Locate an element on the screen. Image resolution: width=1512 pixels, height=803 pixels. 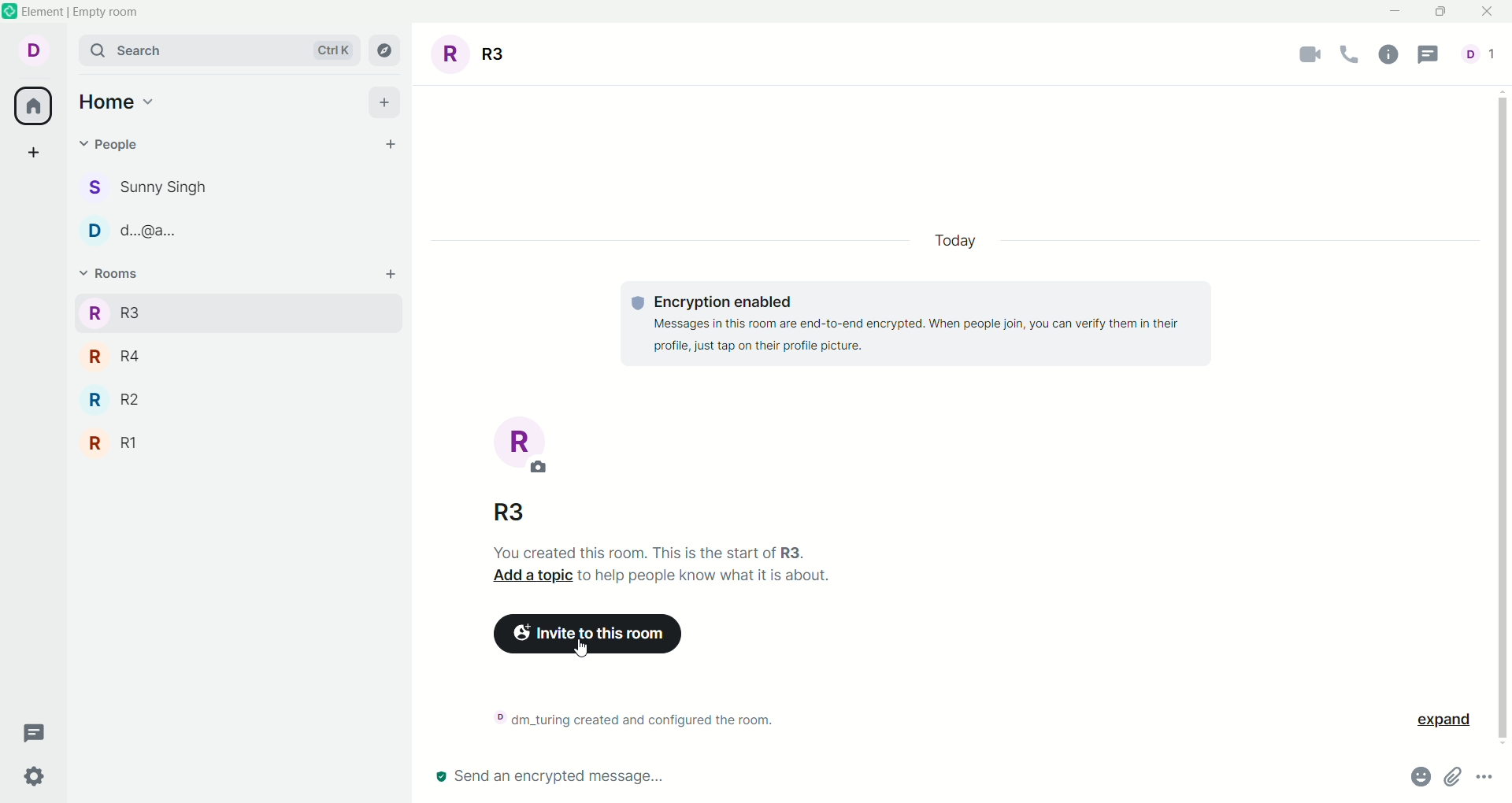
people is located at coordinates (1478, 56).